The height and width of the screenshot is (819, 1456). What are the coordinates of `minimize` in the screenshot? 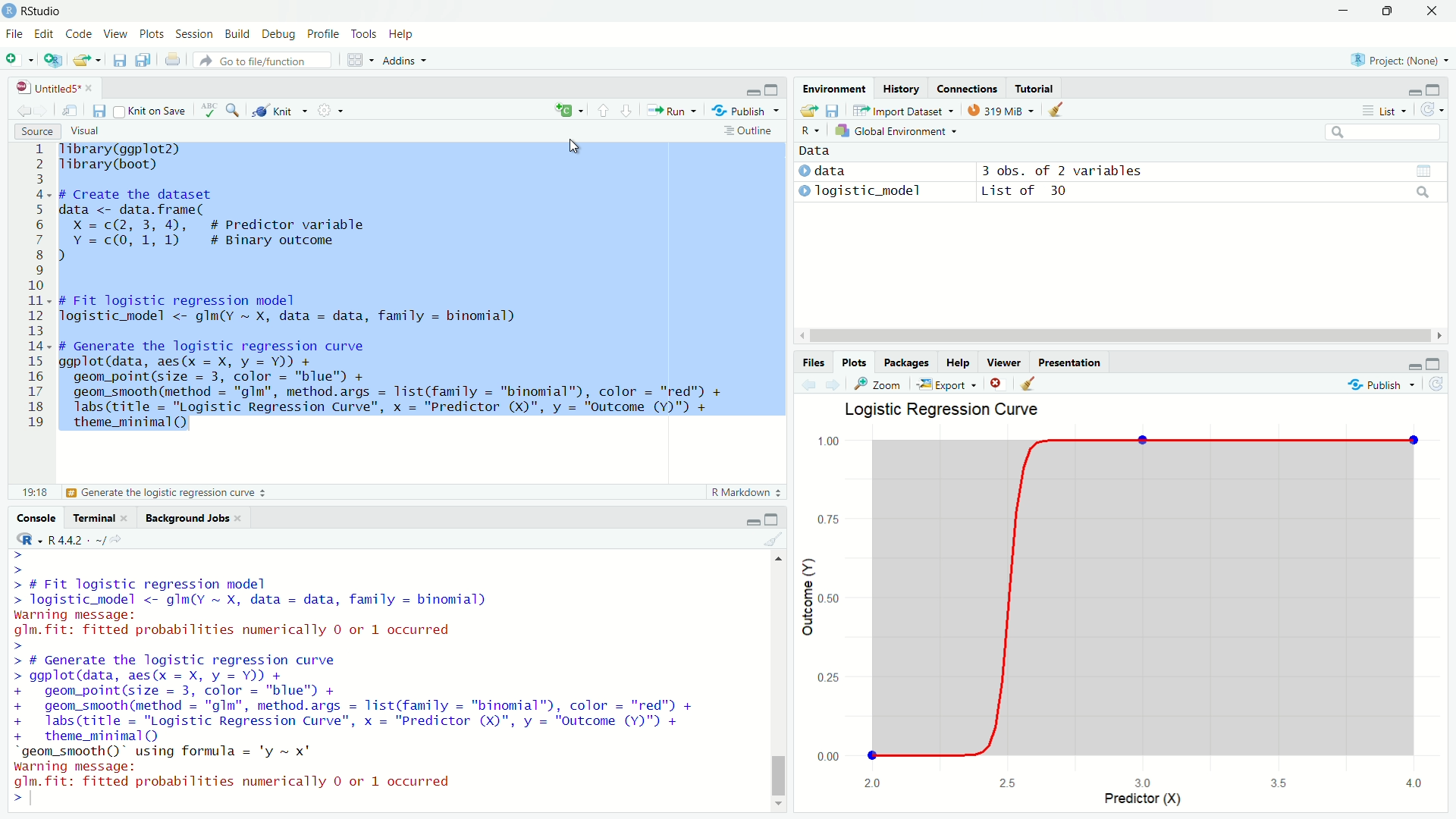 It's located at (753, 521).